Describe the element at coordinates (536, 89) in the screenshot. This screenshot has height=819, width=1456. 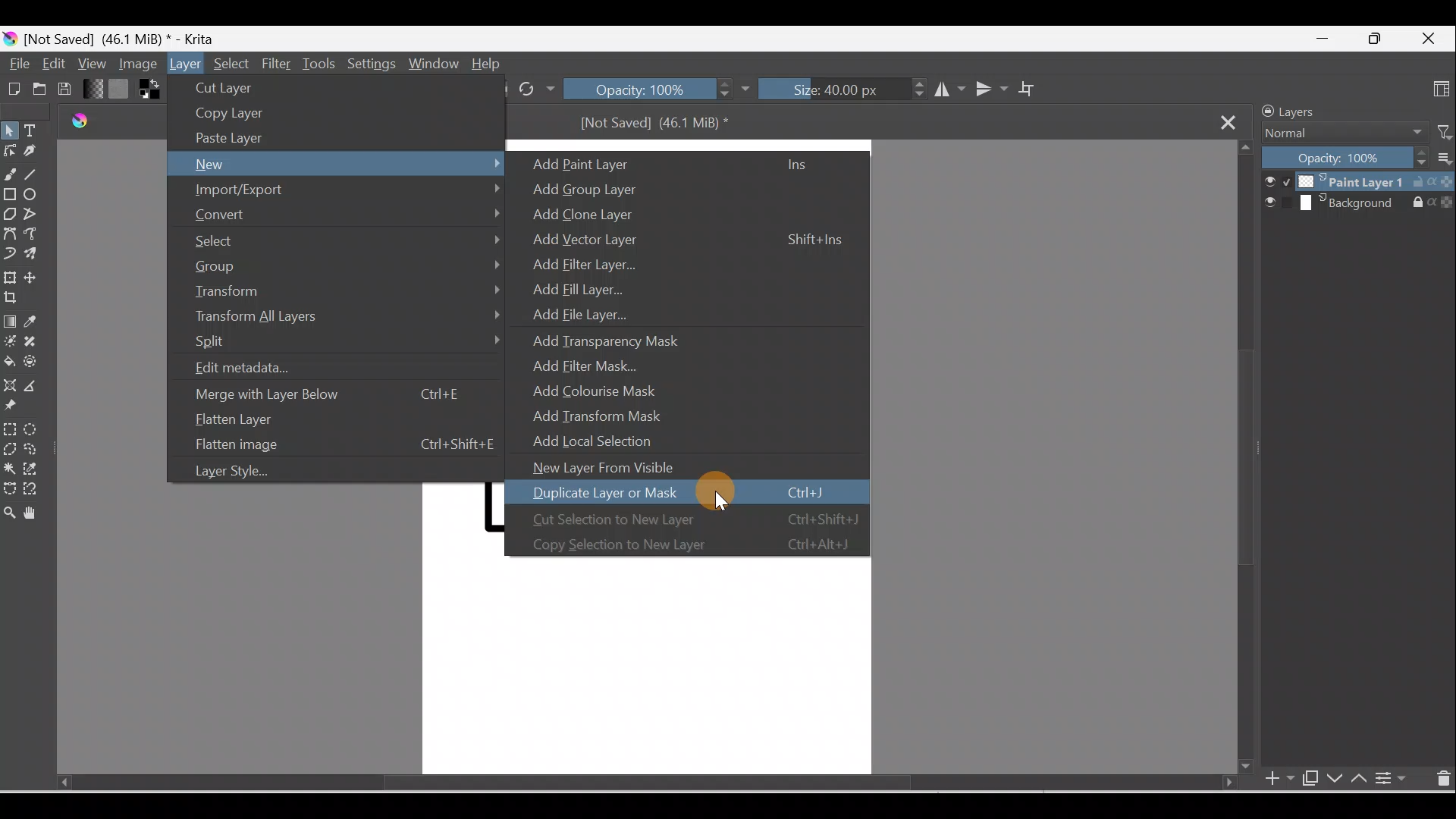
I see `Reload original preset` at that location.